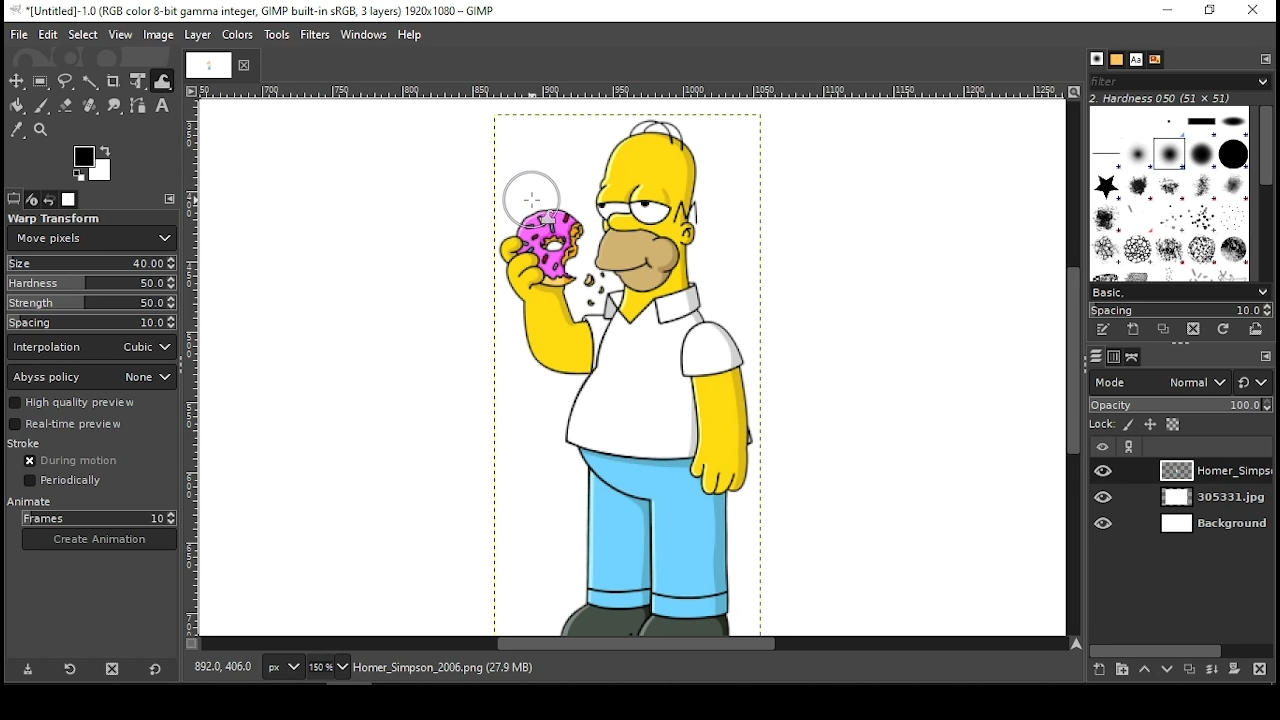  I want to click on unified transform tool, so click(140, 82).